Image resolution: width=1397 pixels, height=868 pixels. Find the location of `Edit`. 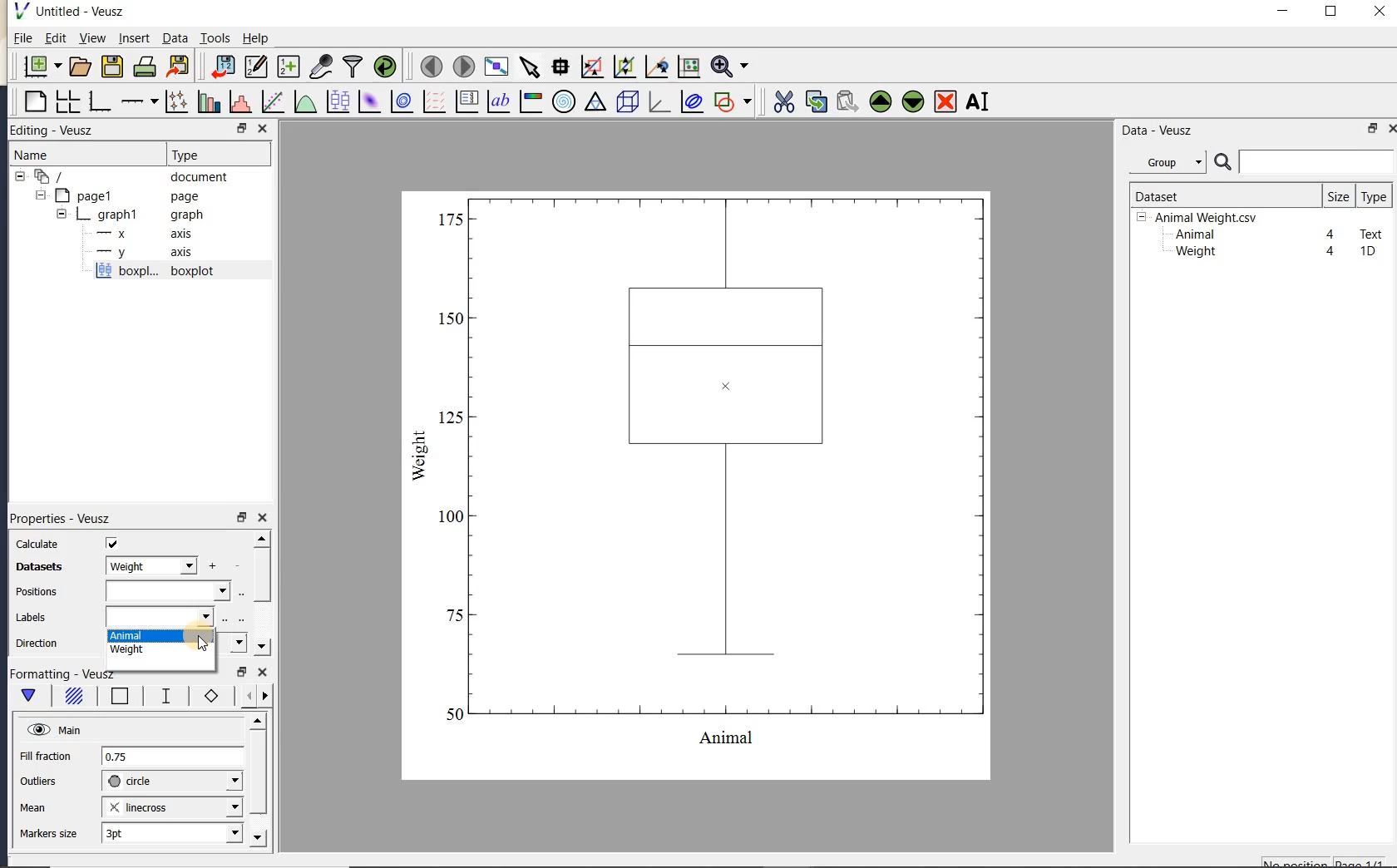

Edit is located at coordinates (52, 40).